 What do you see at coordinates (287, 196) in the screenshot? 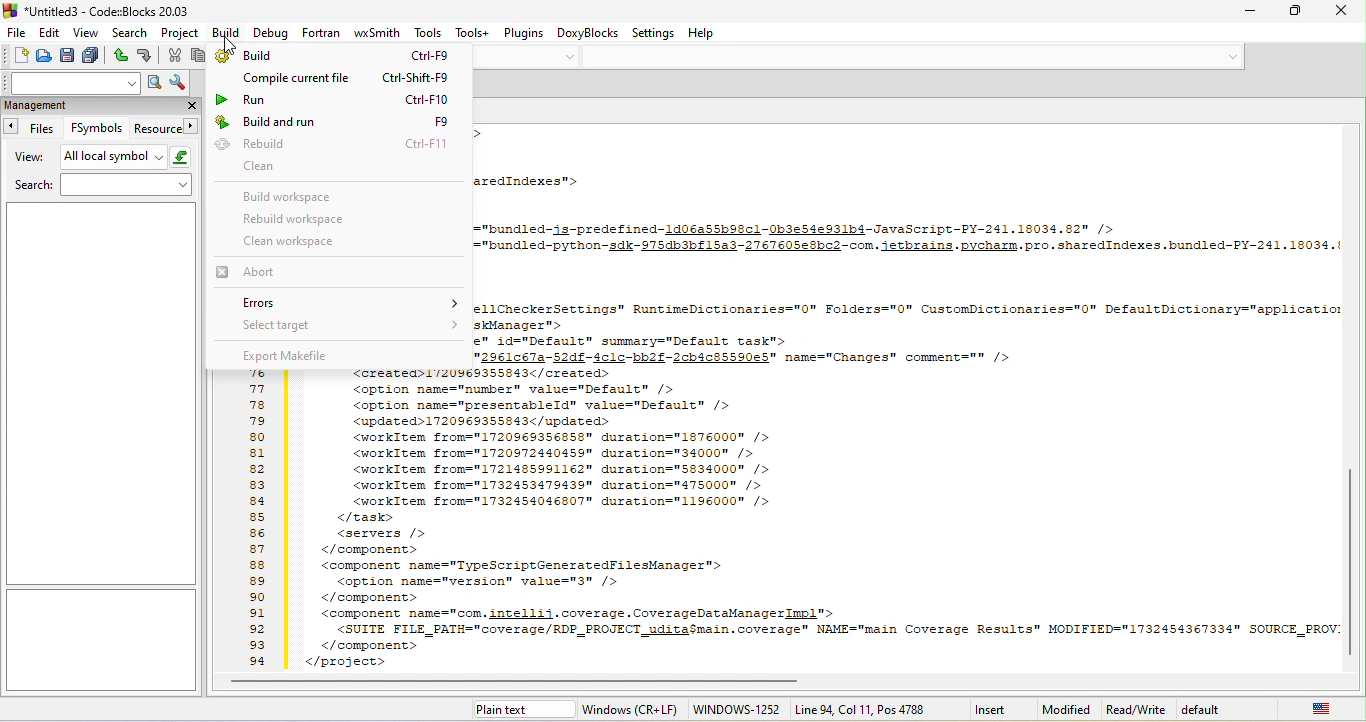
I see `build workspace` at bounding box center [287, 196].